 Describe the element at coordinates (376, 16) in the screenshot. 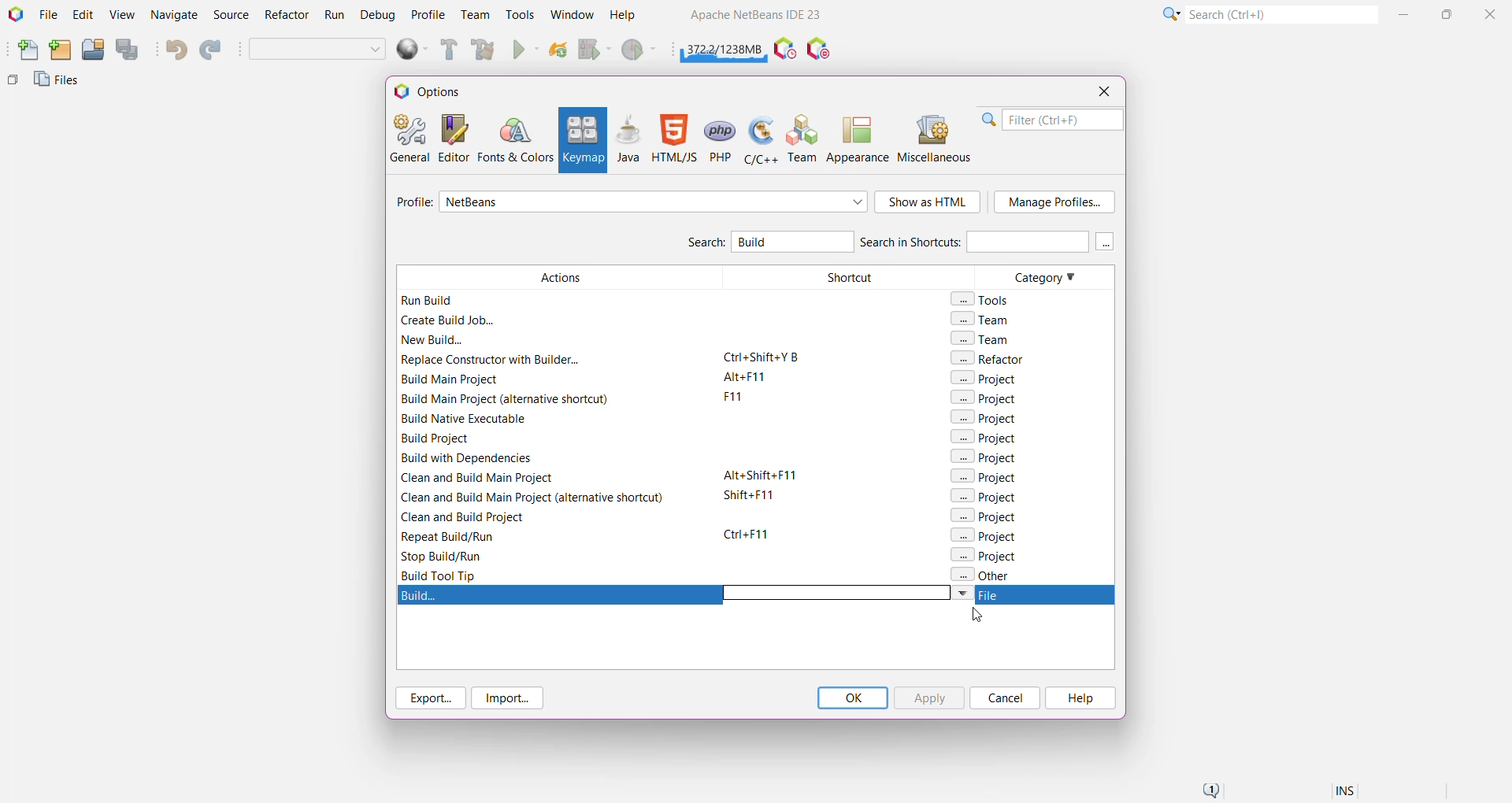

I see `Debug ` at that location.